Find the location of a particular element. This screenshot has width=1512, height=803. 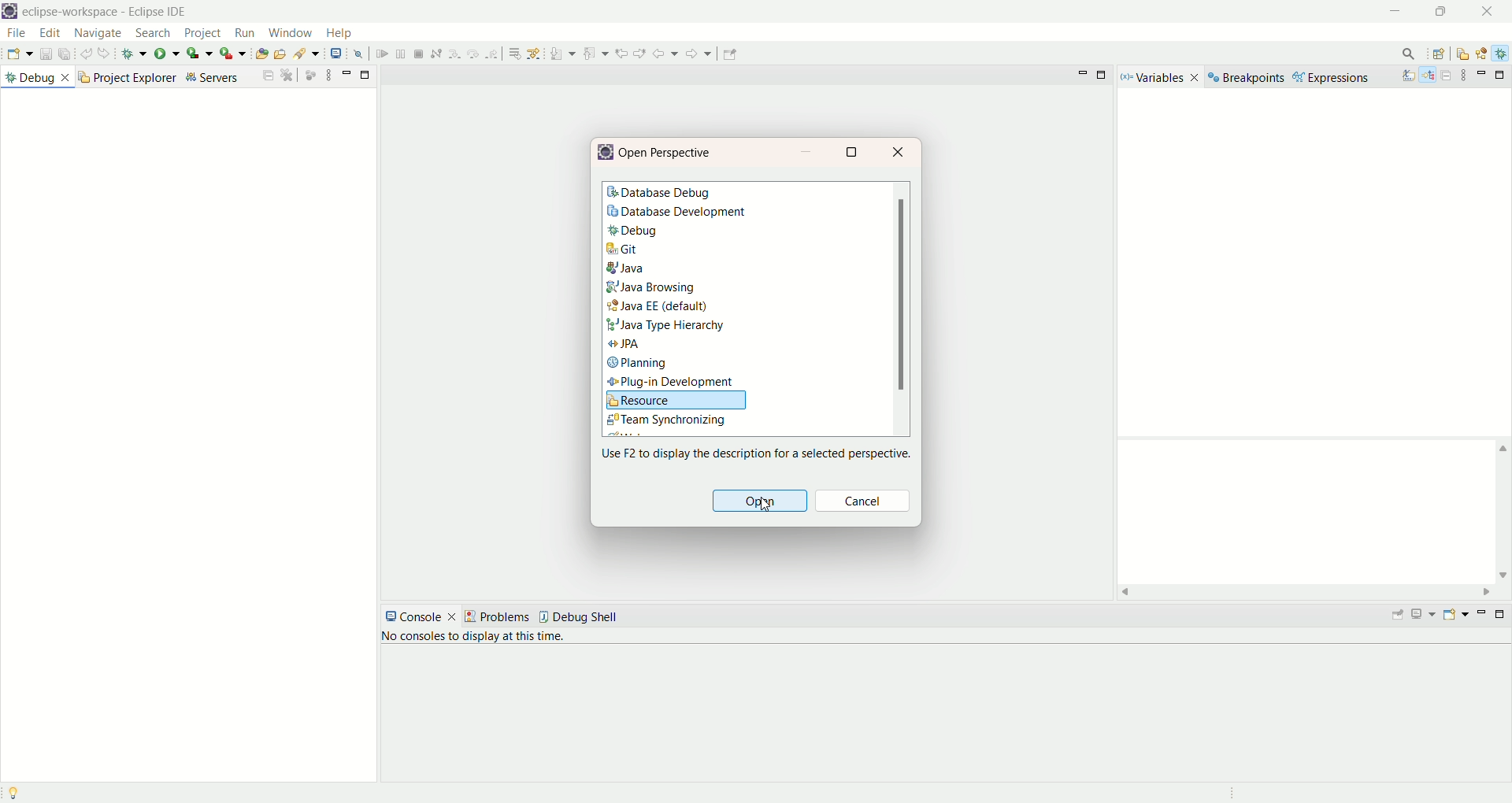

close is located at coordinates (899, 153).